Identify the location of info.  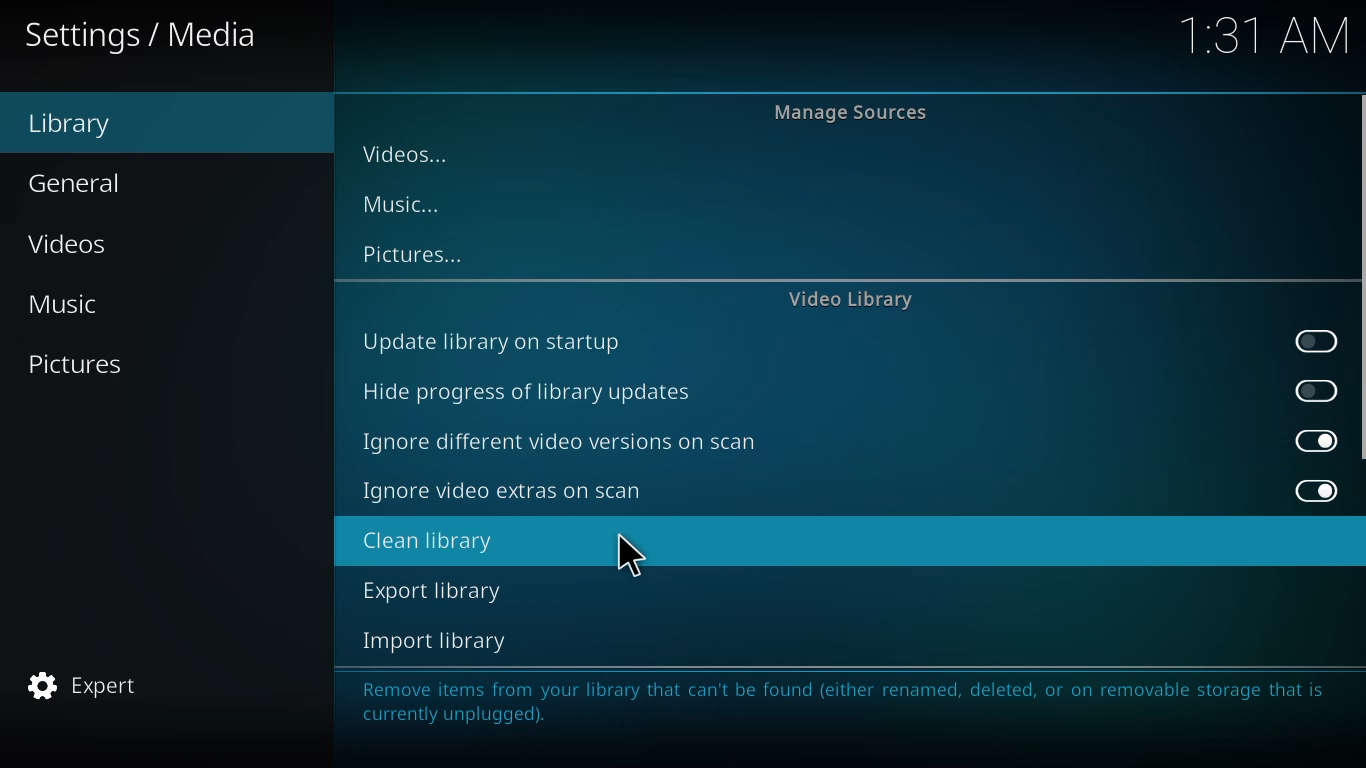
(841, 700).